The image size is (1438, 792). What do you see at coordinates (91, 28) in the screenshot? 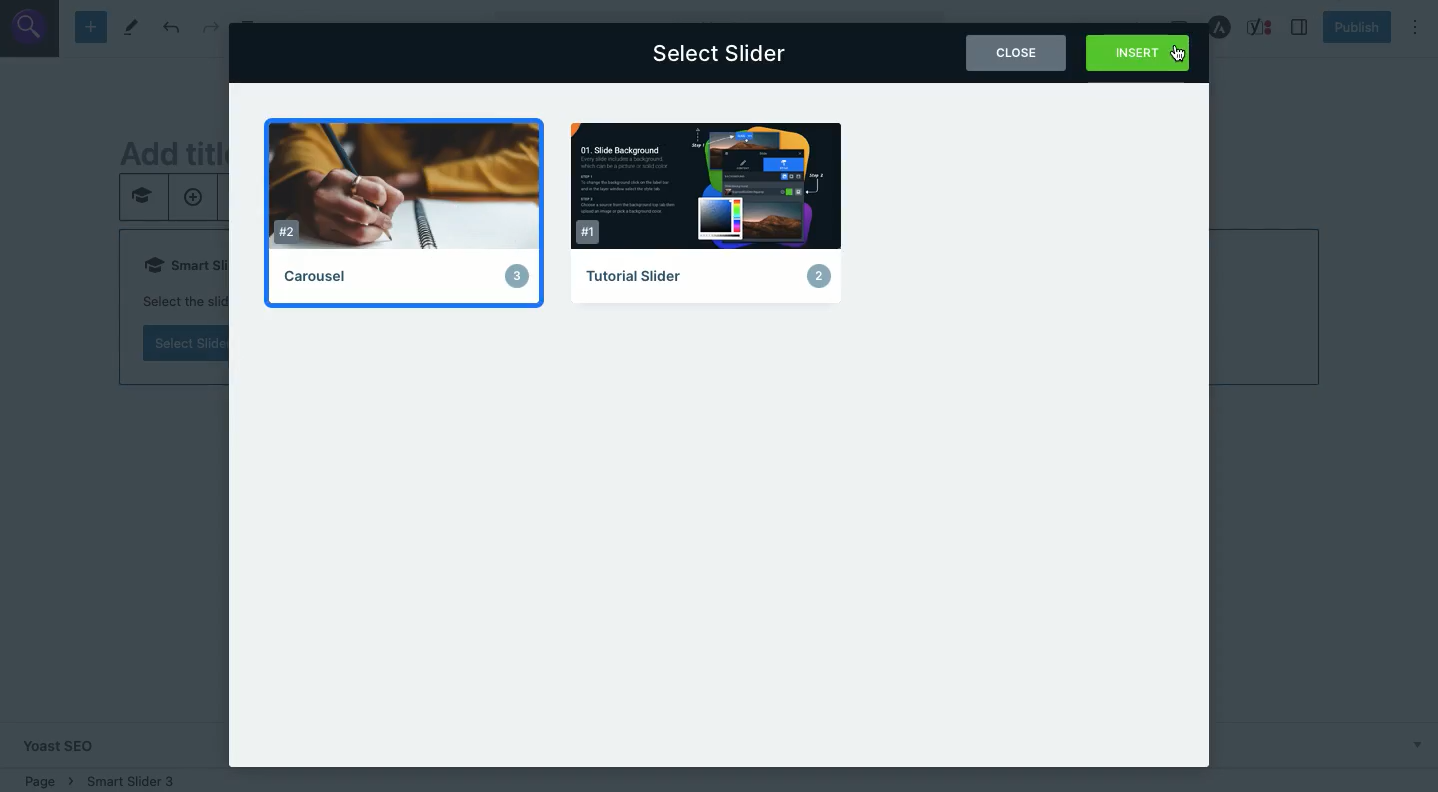
I see `Add block` at bounding box center [91, 28].